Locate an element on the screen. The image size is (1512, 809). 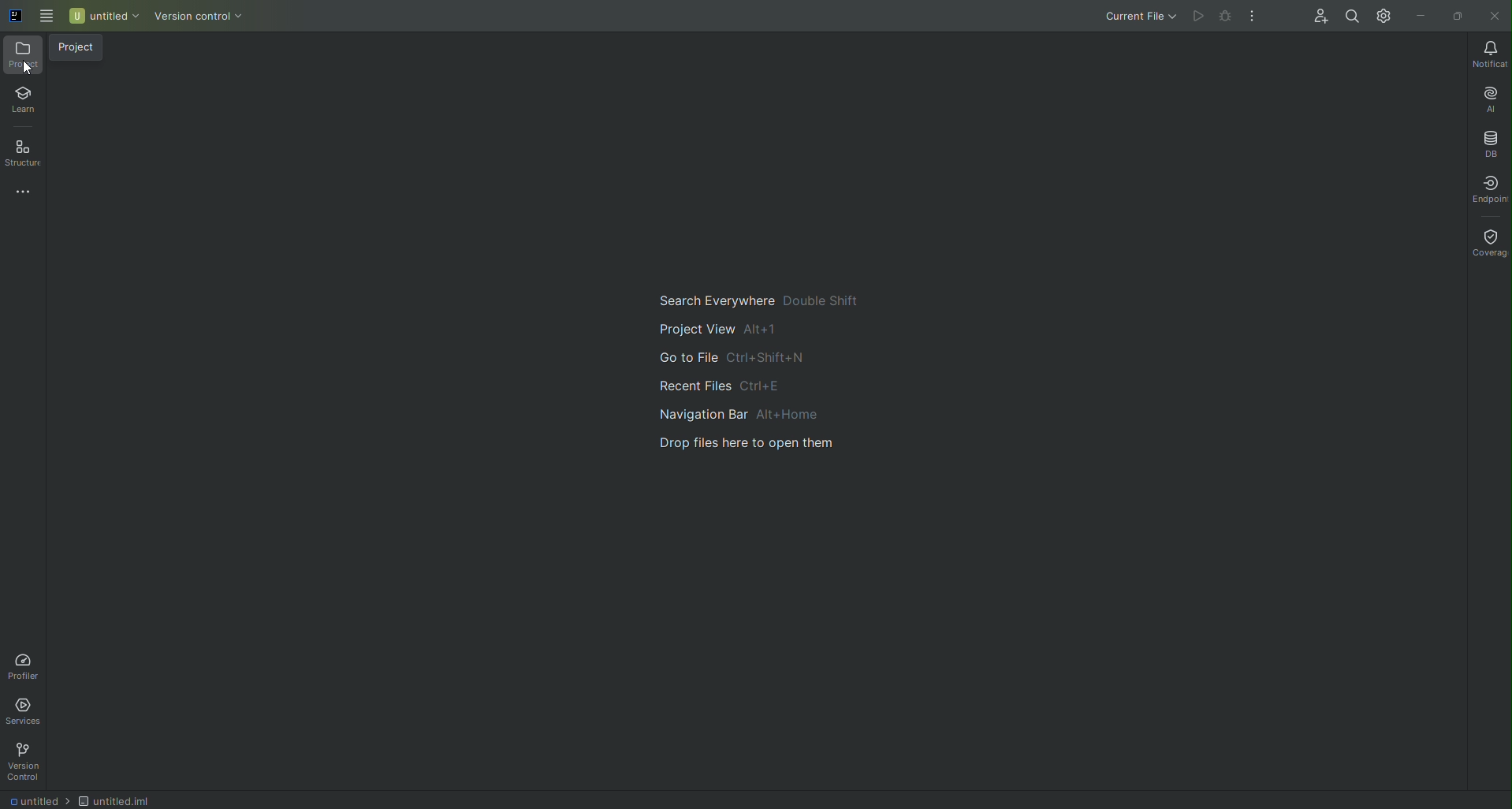
Endpoints is located at coordinates (1486, 186).